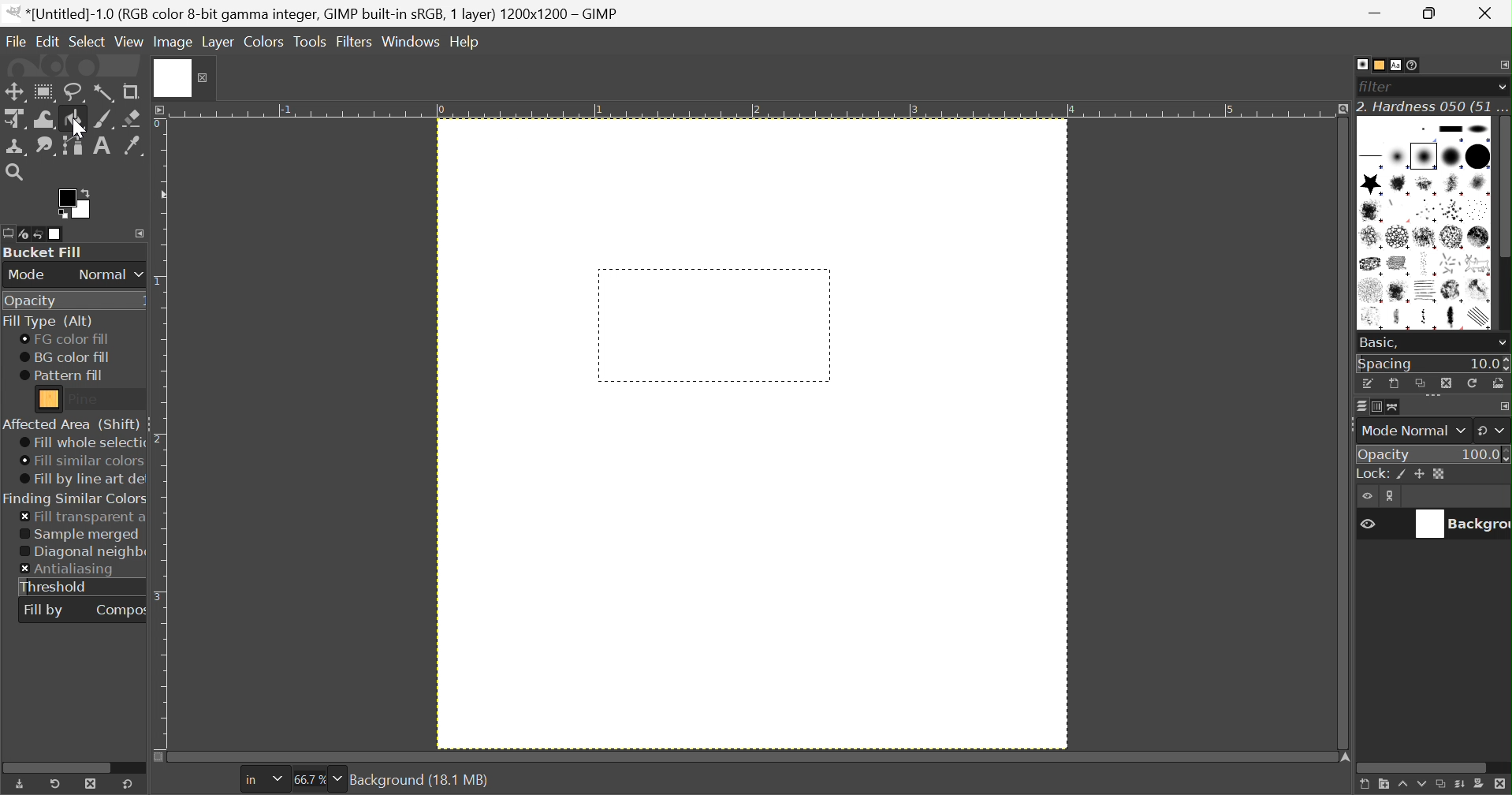  Describe the element at coordinates (1435, 398) in the screenshot. I see `Options` at that location.